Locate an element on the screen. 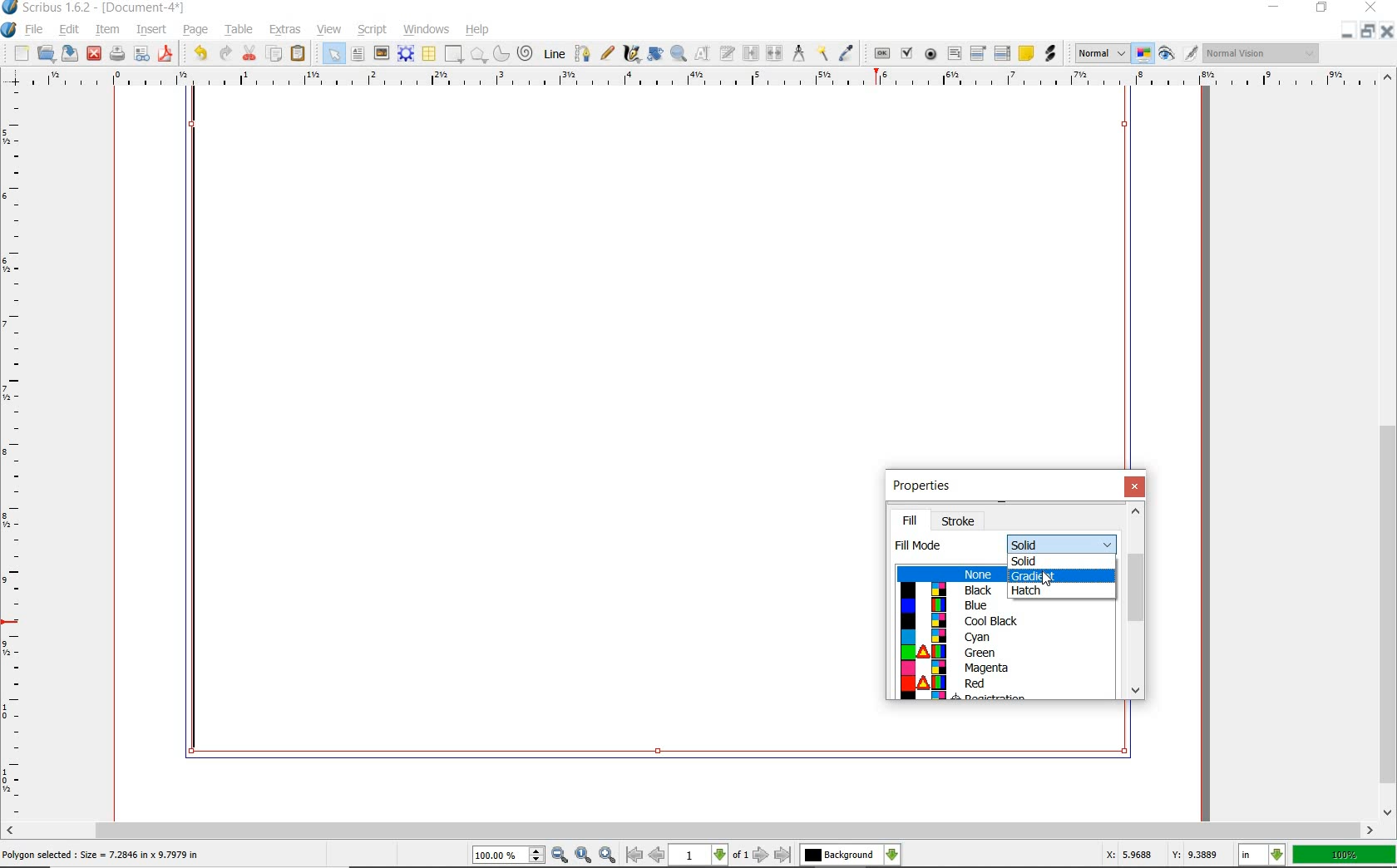  table is located at coordinates (429, 54).